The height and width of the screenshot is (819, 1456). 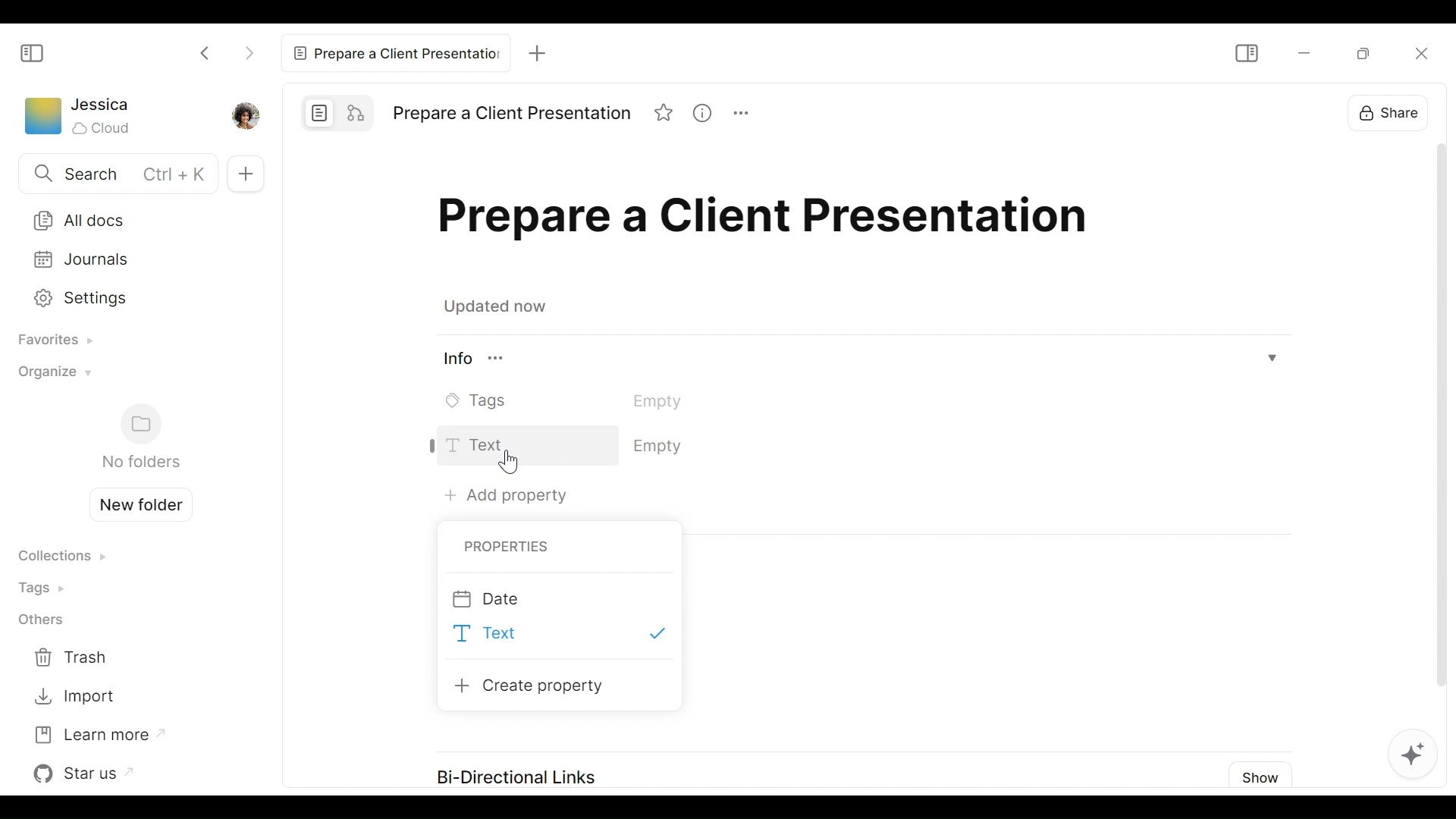 What do you see at coordinates (1362, 117) in the screenshot?
I see `Share` at bounding box center [1362, 117].